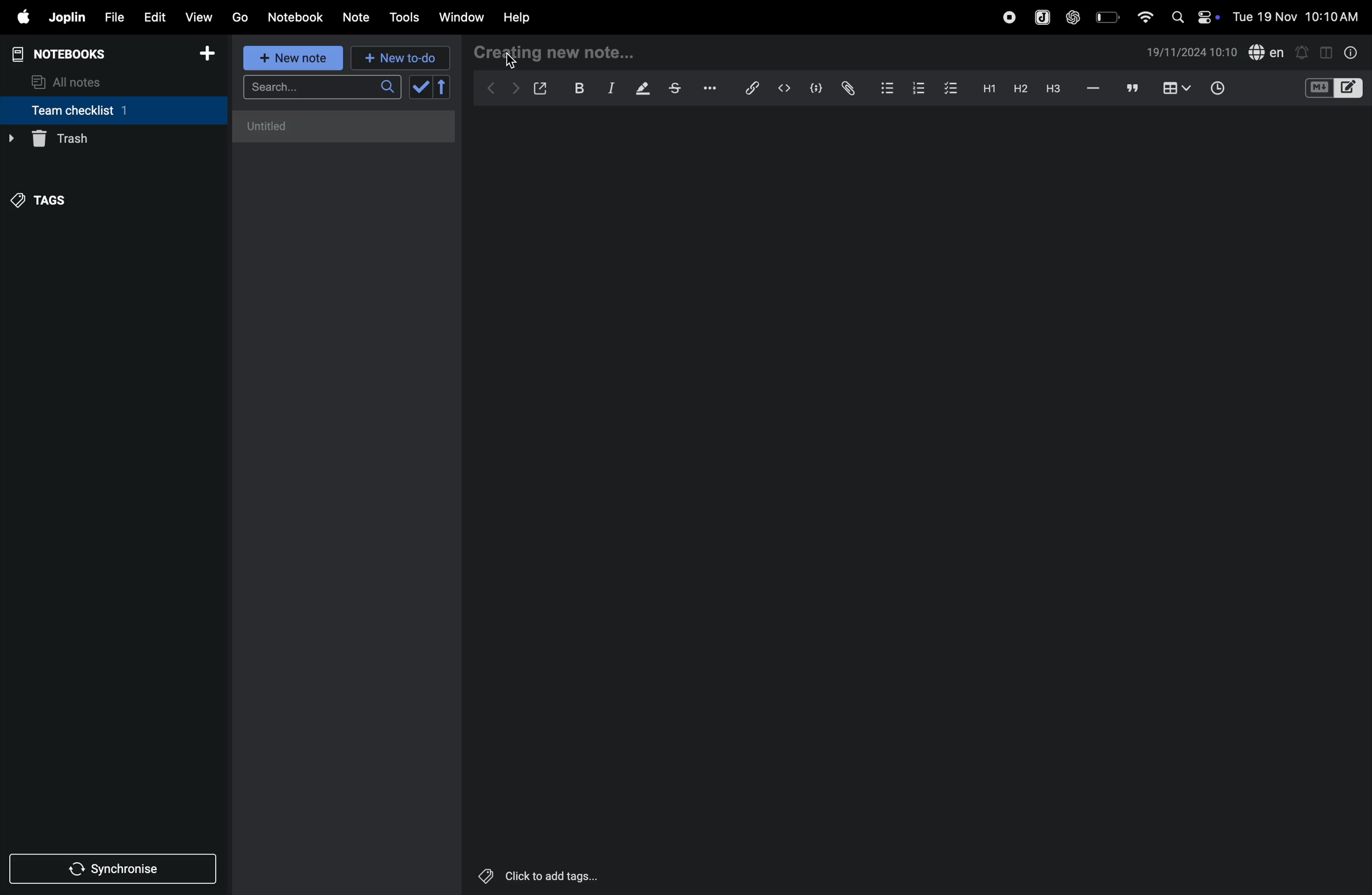 This screenshot has width=1372, height=895. Describe the element at coordinates (816, 87) in the screenshot. I see `code block` at that location.